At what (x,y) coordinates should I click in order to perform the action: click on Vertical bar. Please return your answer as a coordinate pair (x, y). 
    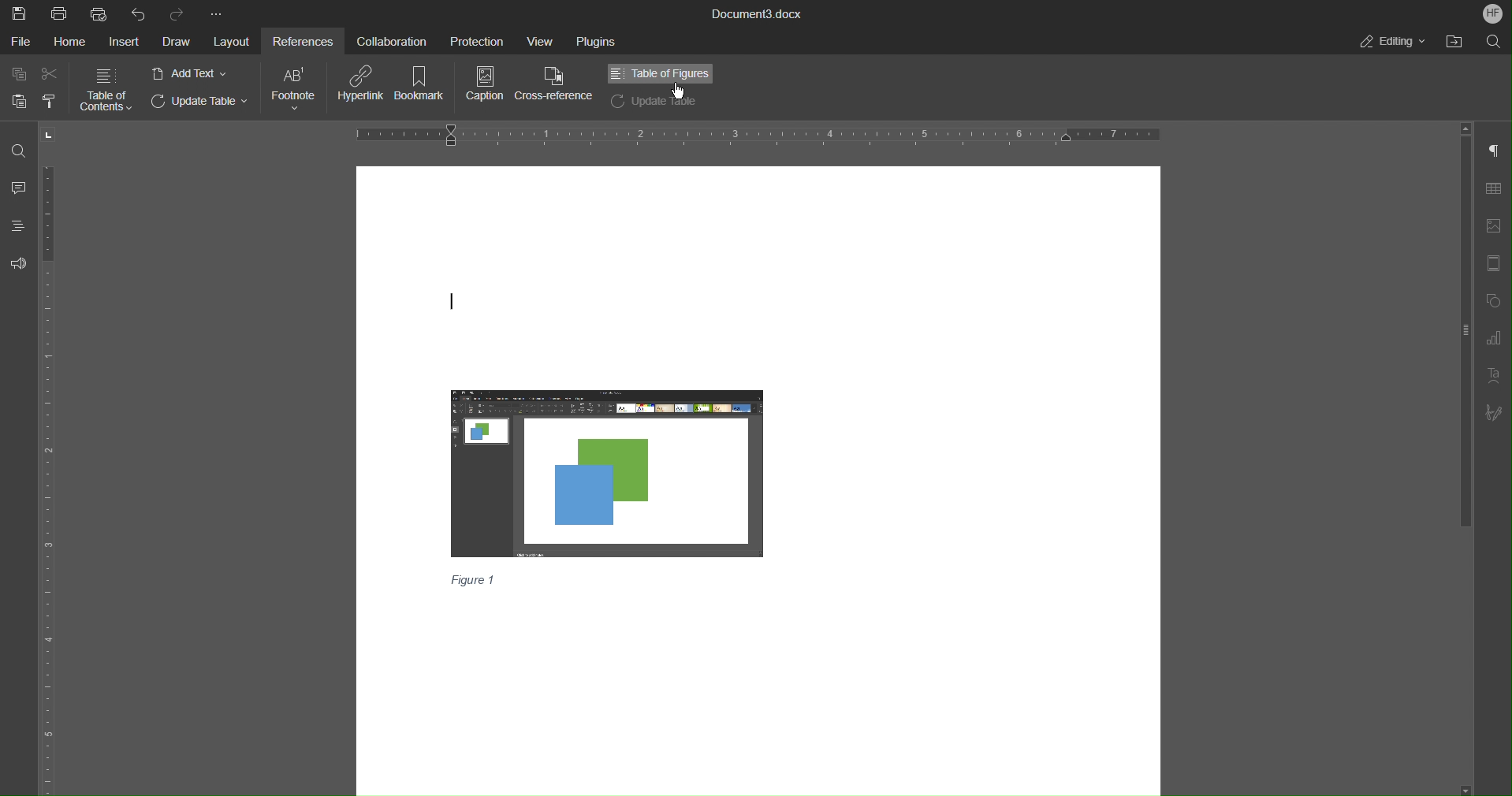
    Looking at the image, I should click on (1454, 330).